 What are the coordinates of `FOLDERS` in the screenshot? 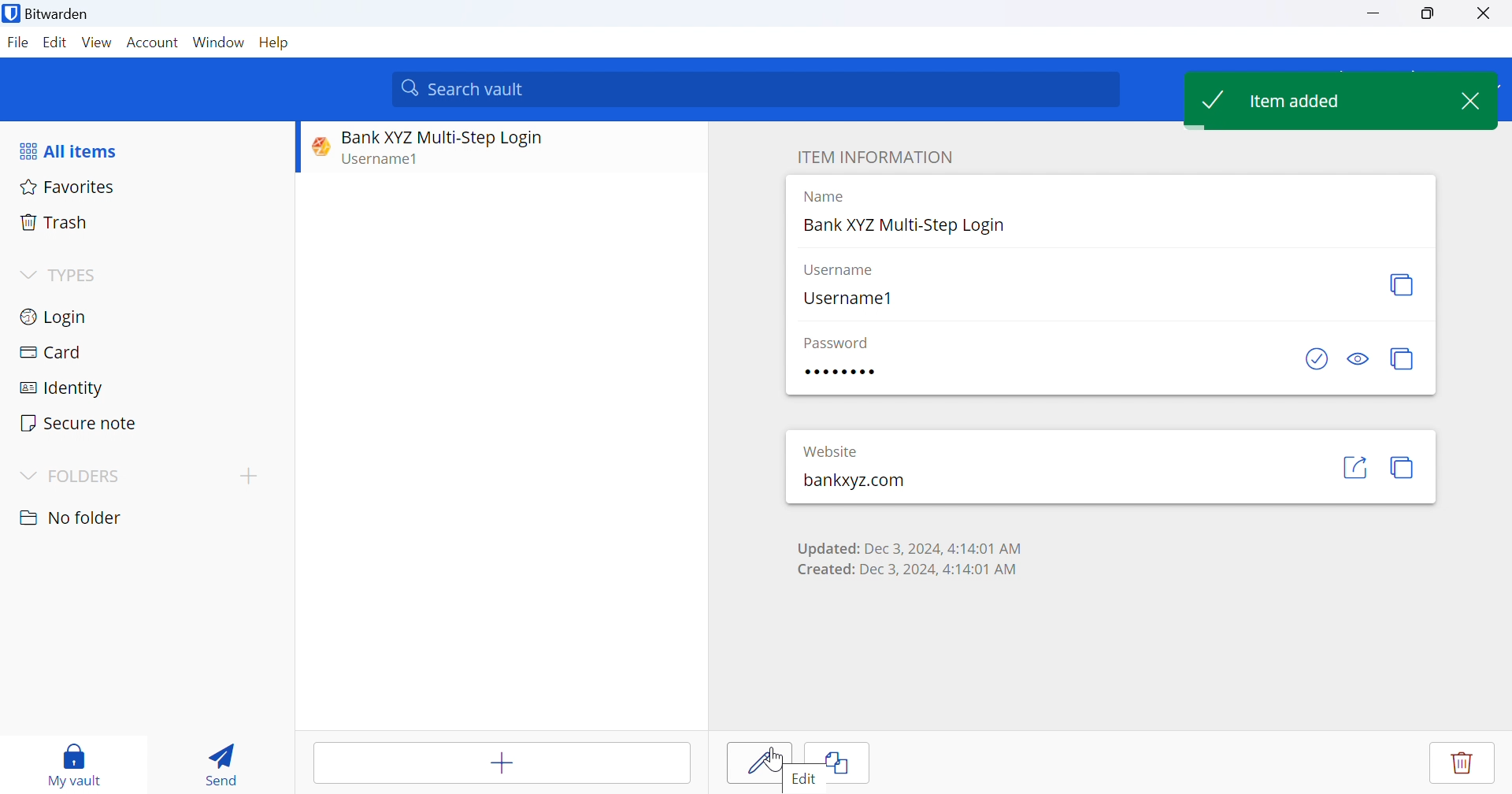 It's located at (92, 477).